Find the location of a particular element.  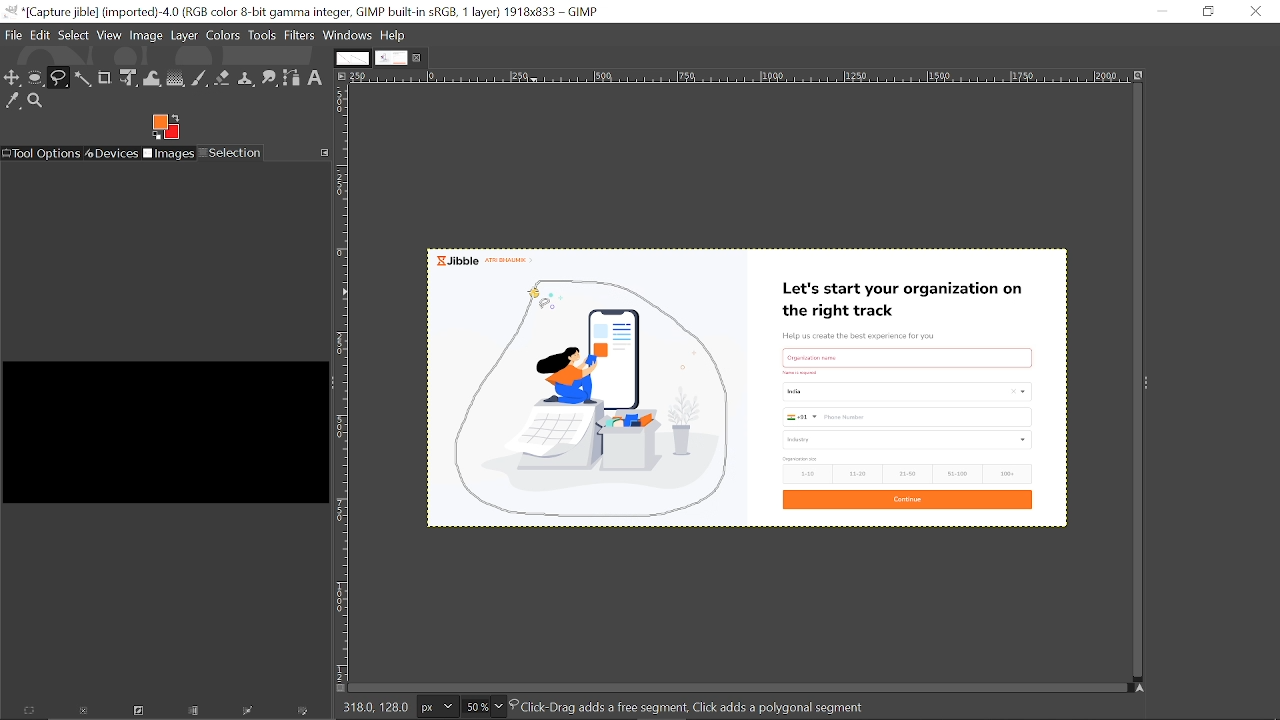

Paint along the selection outline is located at coordinates (304, 713).